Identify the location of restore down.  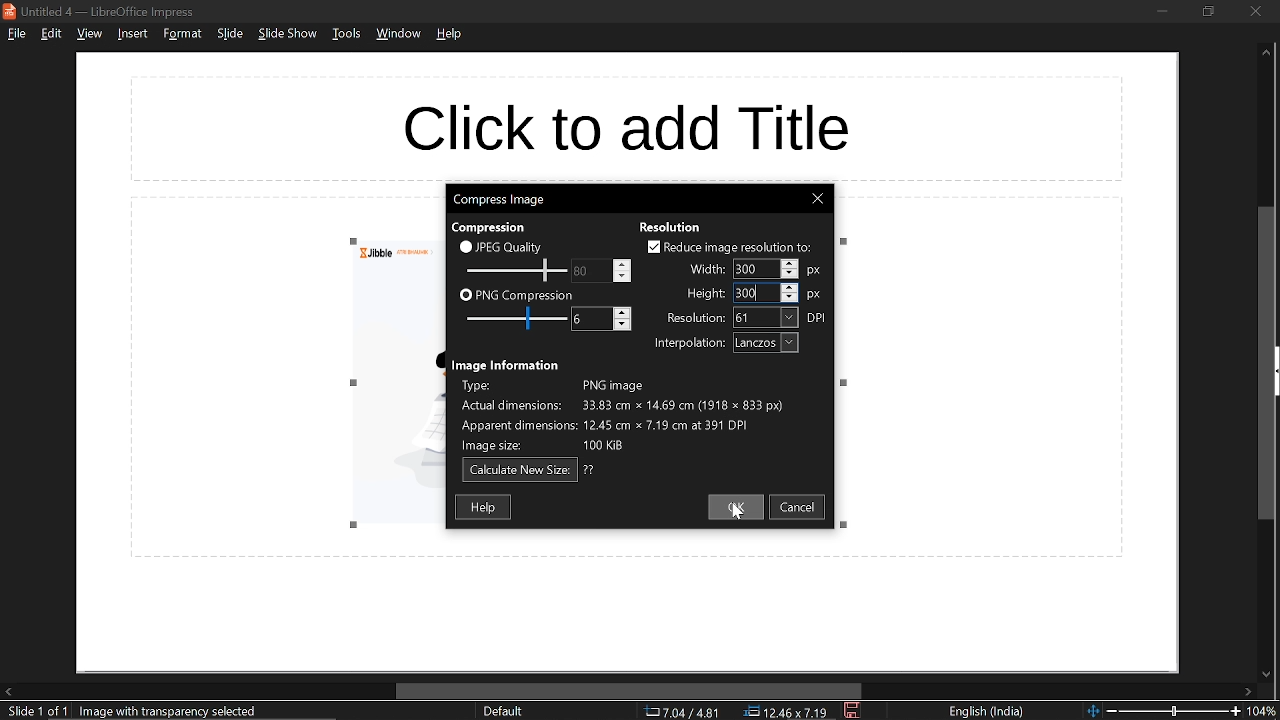
(1210, 12).